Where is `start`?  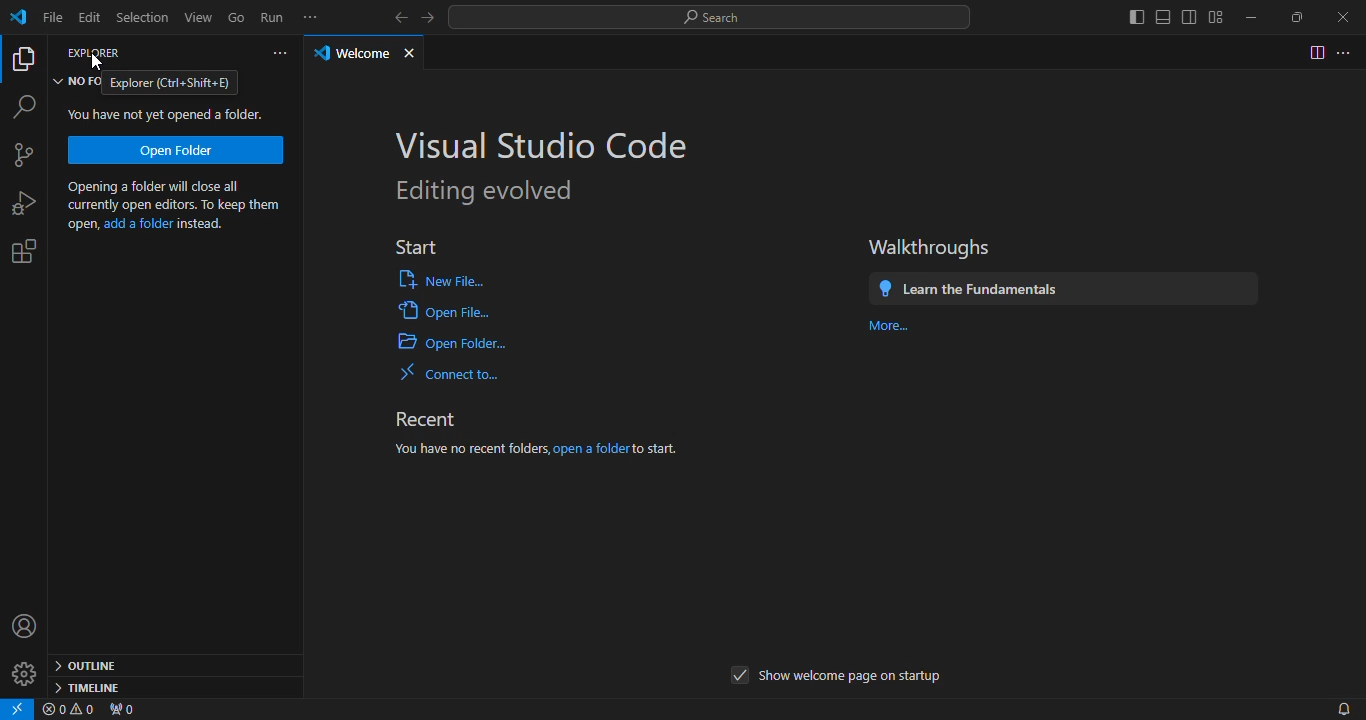
start is located at coordinates (416, 244).